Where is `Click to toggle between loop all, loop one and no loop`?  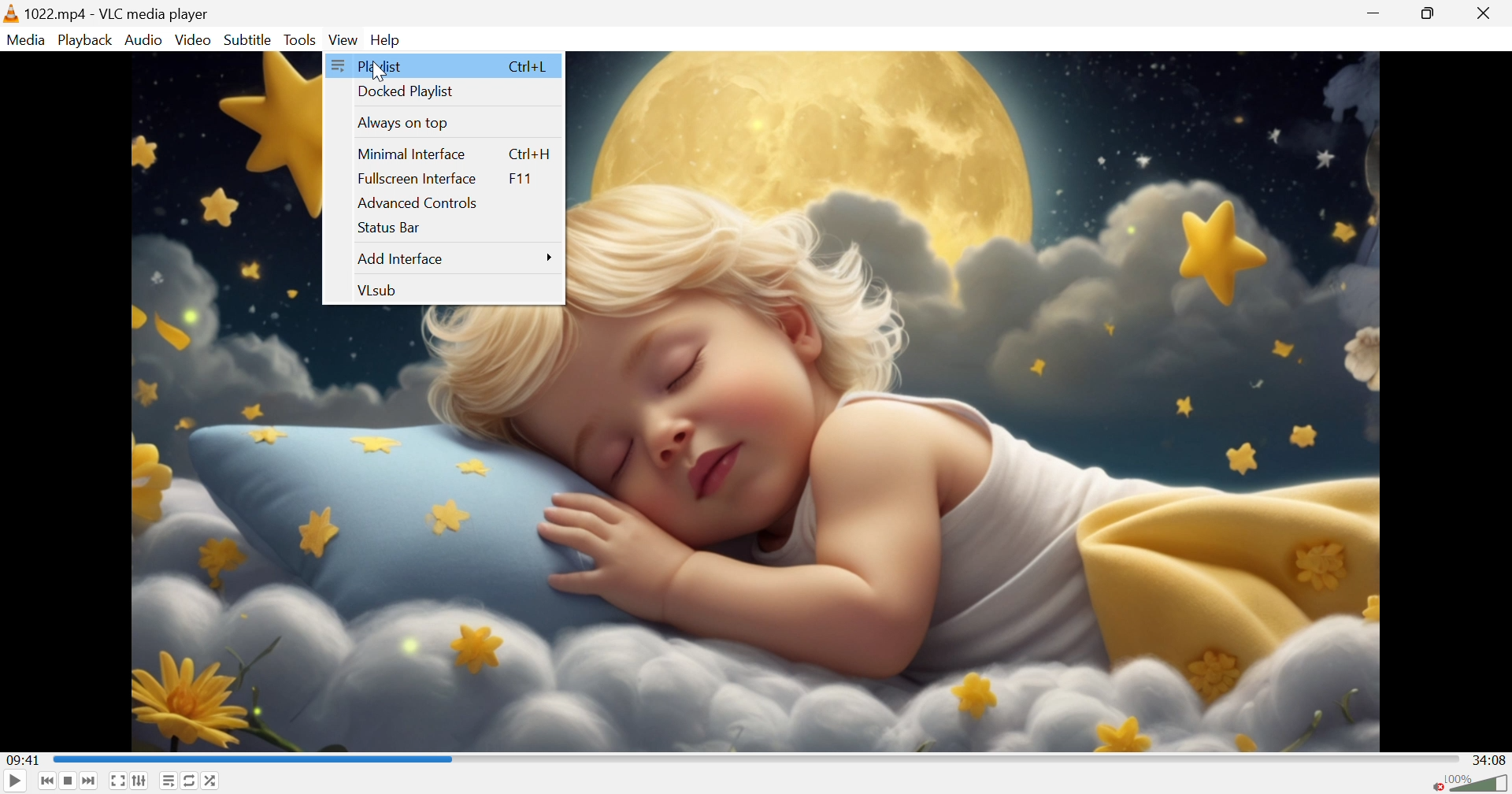 Click to toggle between loop all, loop one and no loop is located at coordinates (192, 781).